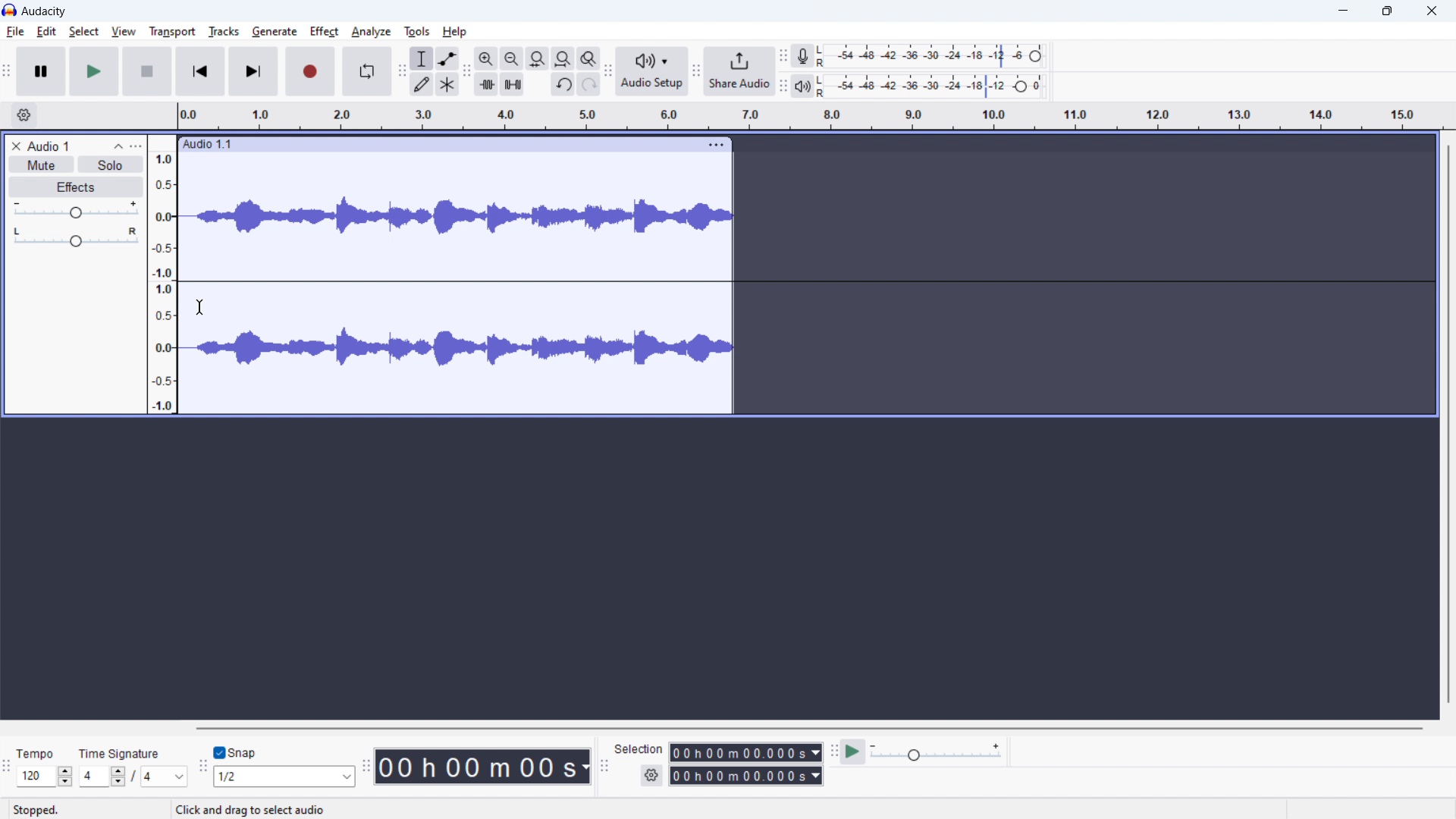 The height and width of the screenshot is (819, 1456). Describe the element at coordinates (808, 728) in the screenshot. I see `horizontal scrollbar` at that location.